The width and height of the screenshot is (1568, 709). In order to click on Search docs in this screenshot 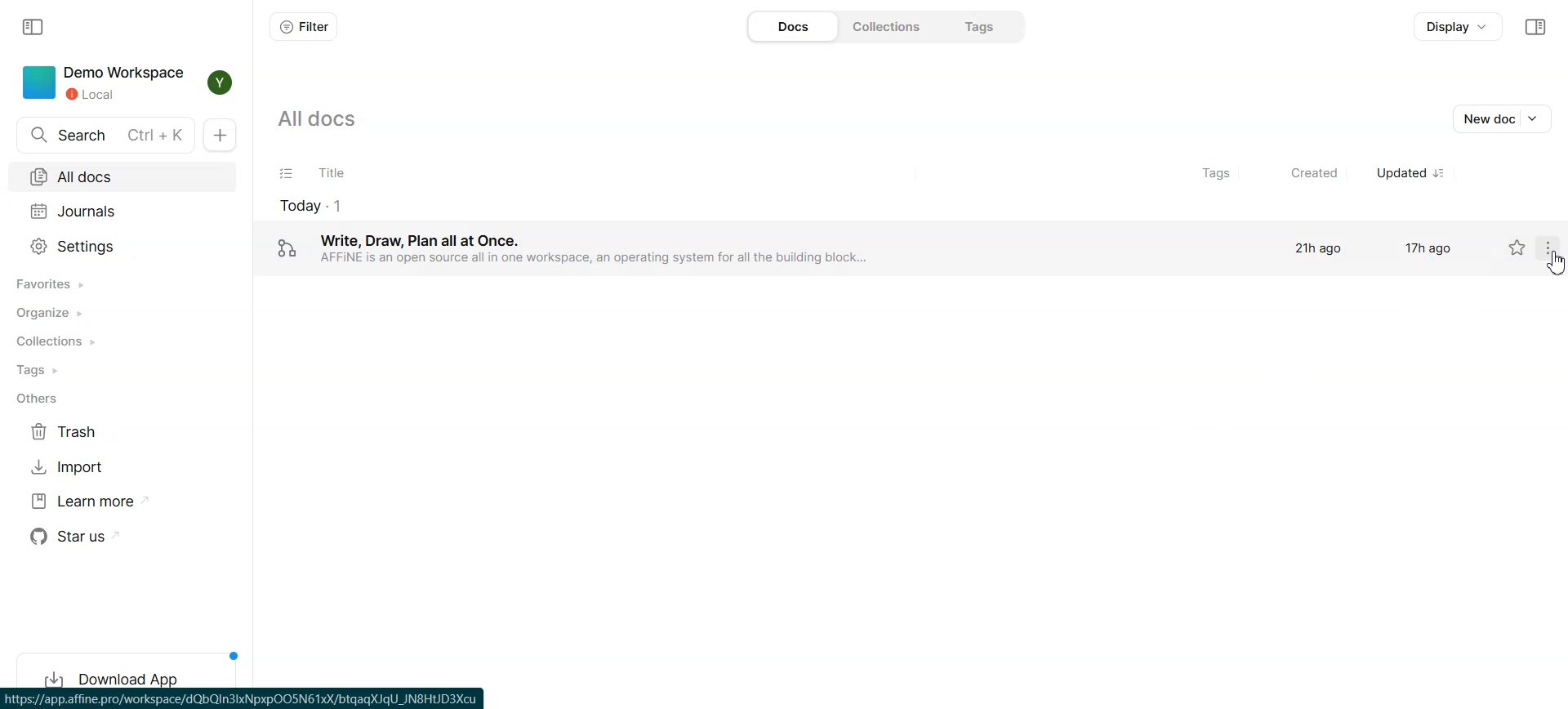, I will do `click(104, 134)`.